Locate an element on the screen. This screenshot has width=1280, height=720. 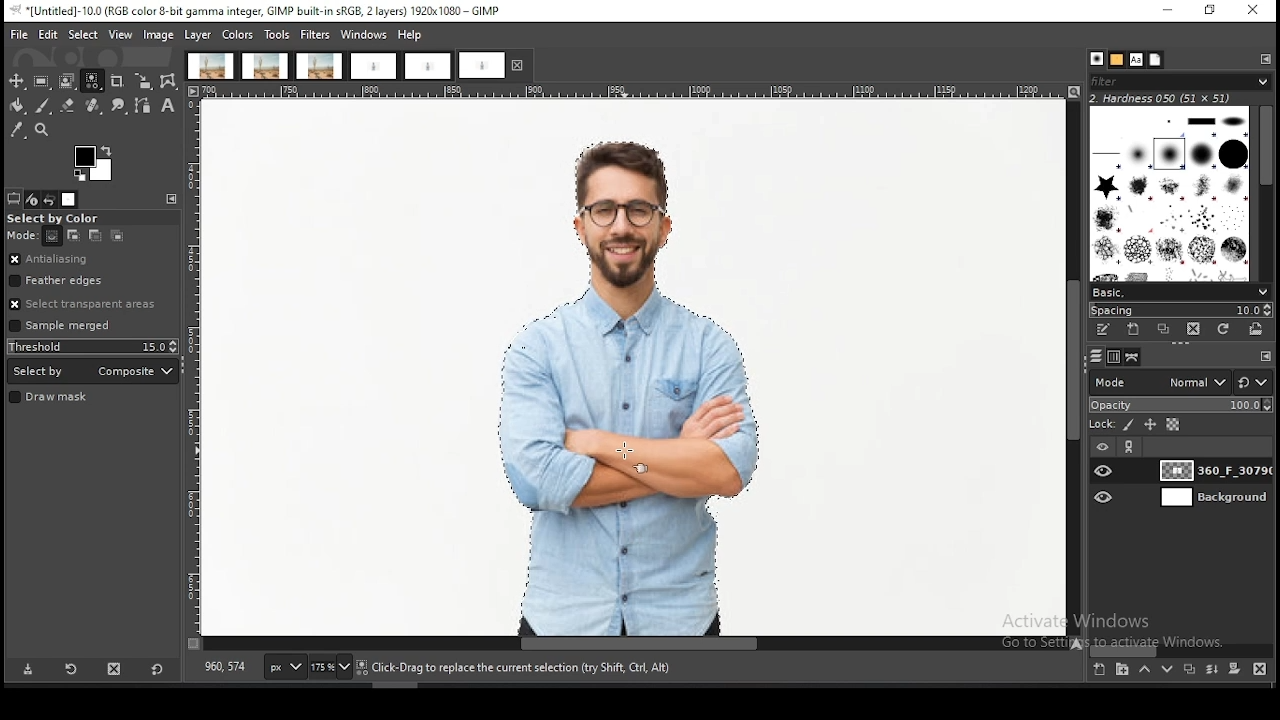
project tab is located at coordinates (210, 66).